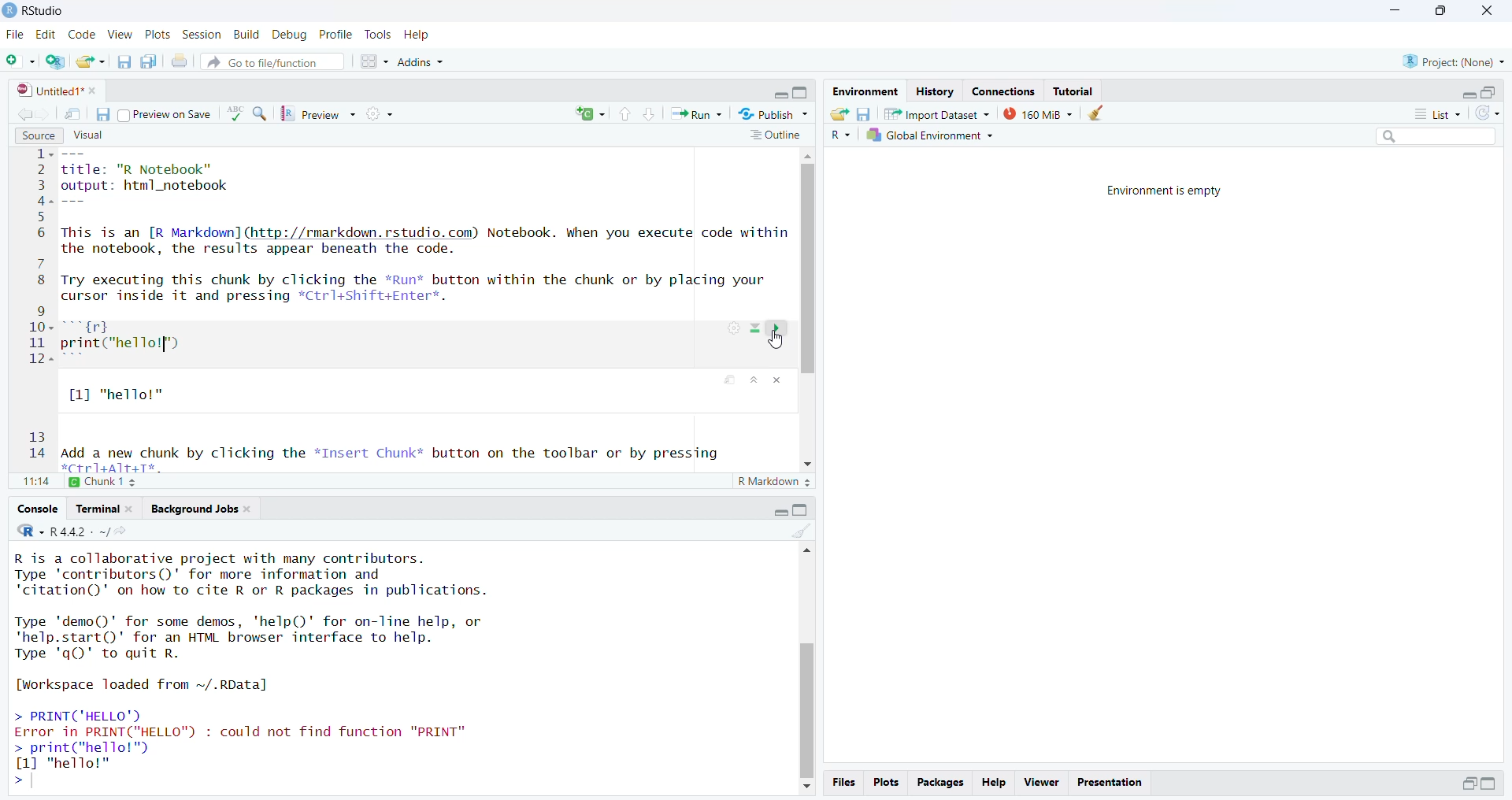 The image size is (1512, 800). Describe the element at coordinates (159, 35) in the screenshot. I see `plots` at that location.